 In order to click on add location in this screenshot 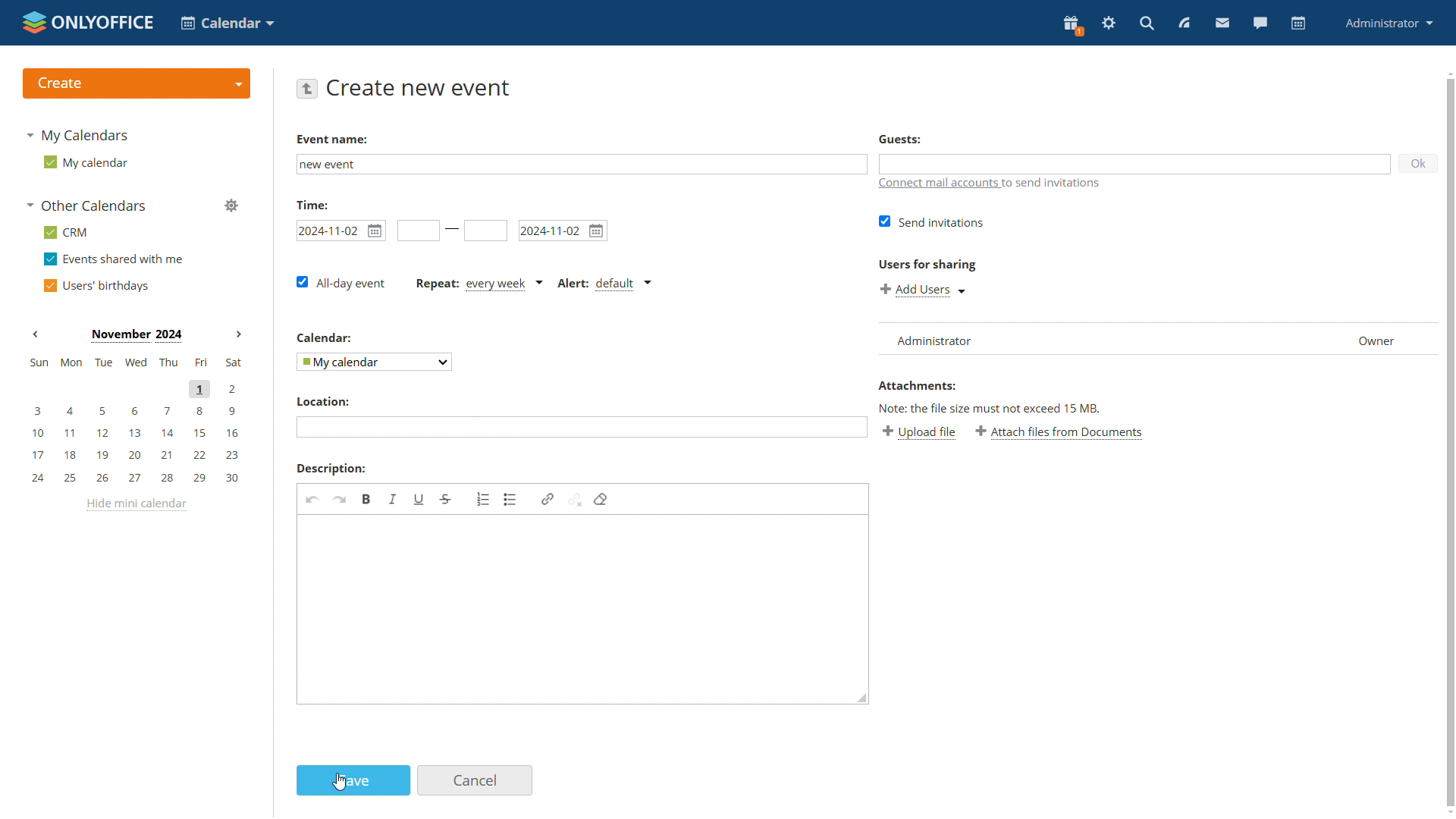, I will do `click(580, 426)`.